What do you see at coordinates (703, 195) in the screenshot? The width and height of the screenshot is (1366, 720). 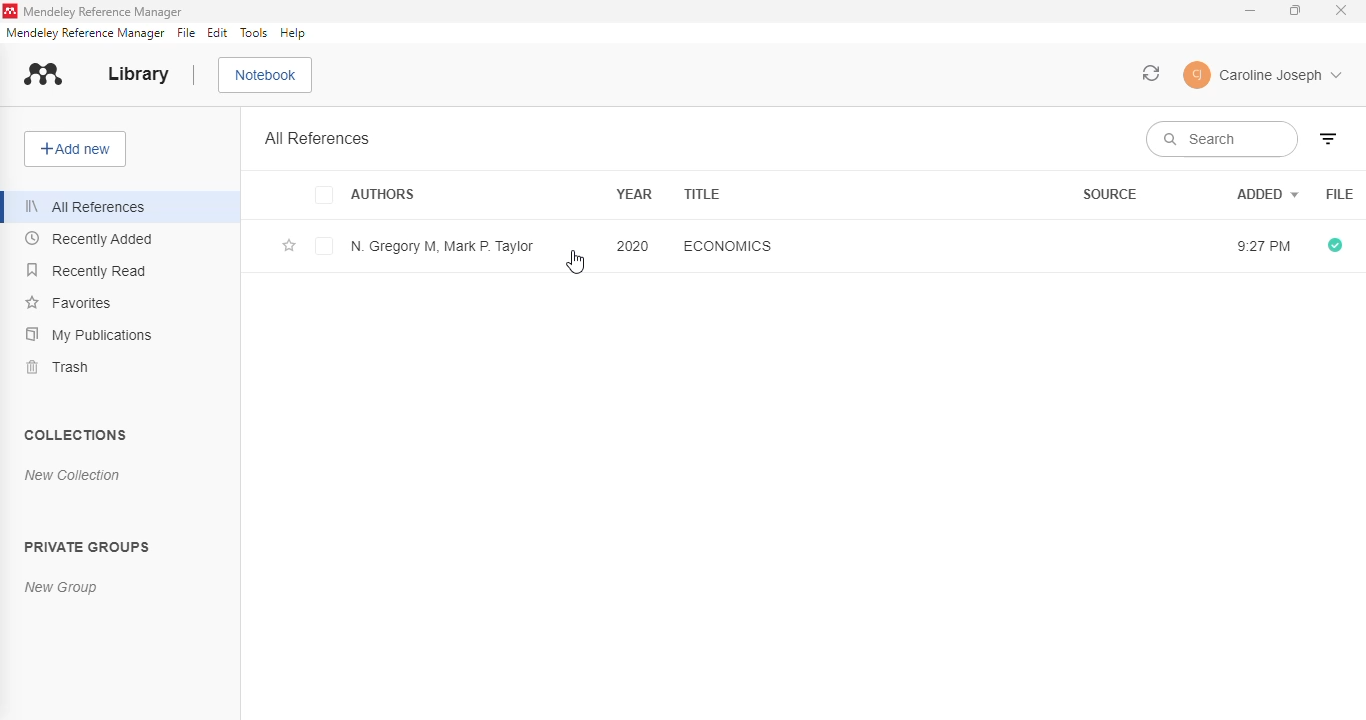 I see `title` at bounding box center [703, 195].